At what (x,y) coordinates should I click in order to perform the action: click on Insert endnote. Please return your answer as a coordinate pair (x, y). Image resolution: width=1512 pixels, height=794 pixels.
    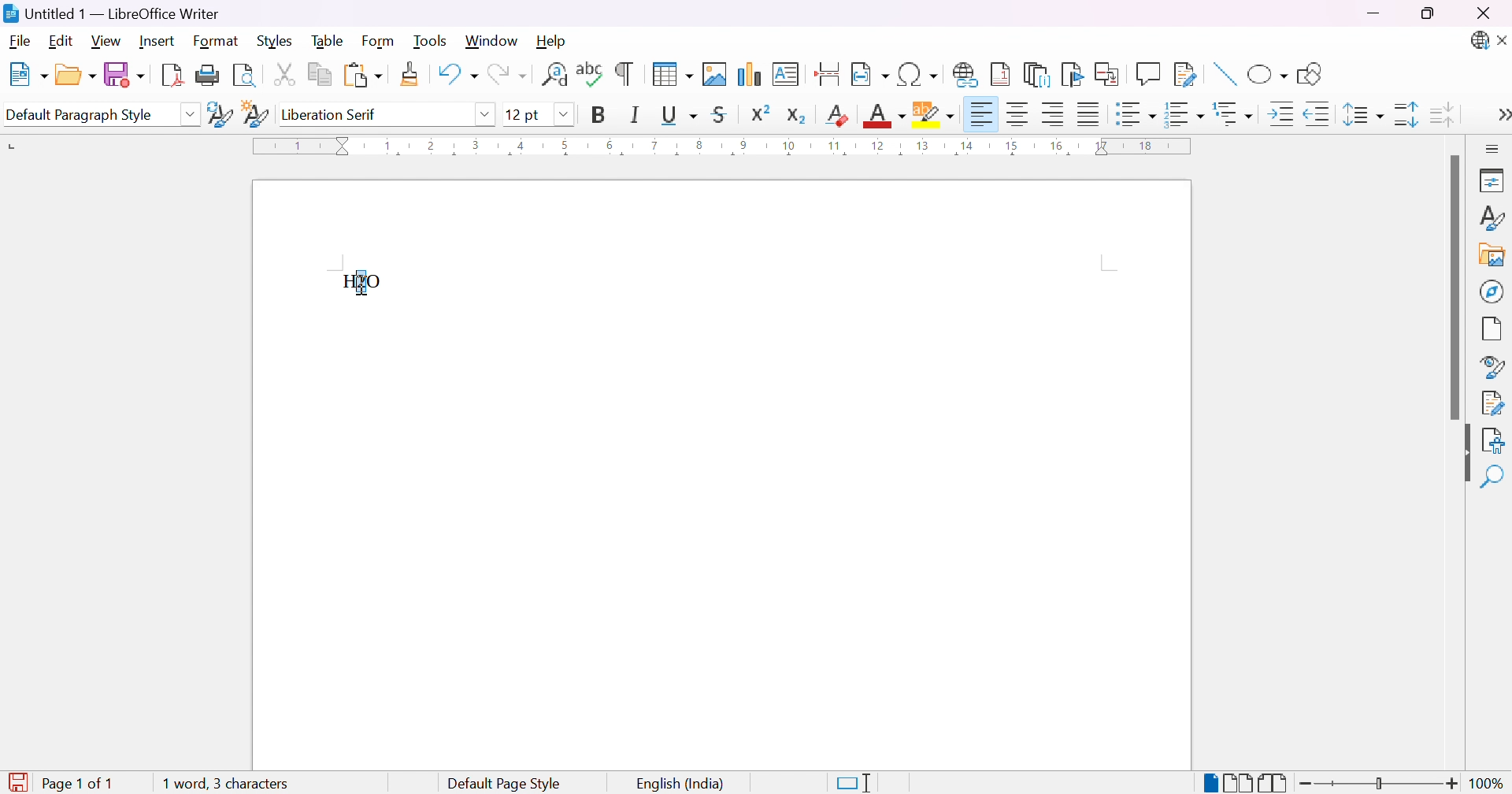
    Looking at the image, I should click on (1037, 75).